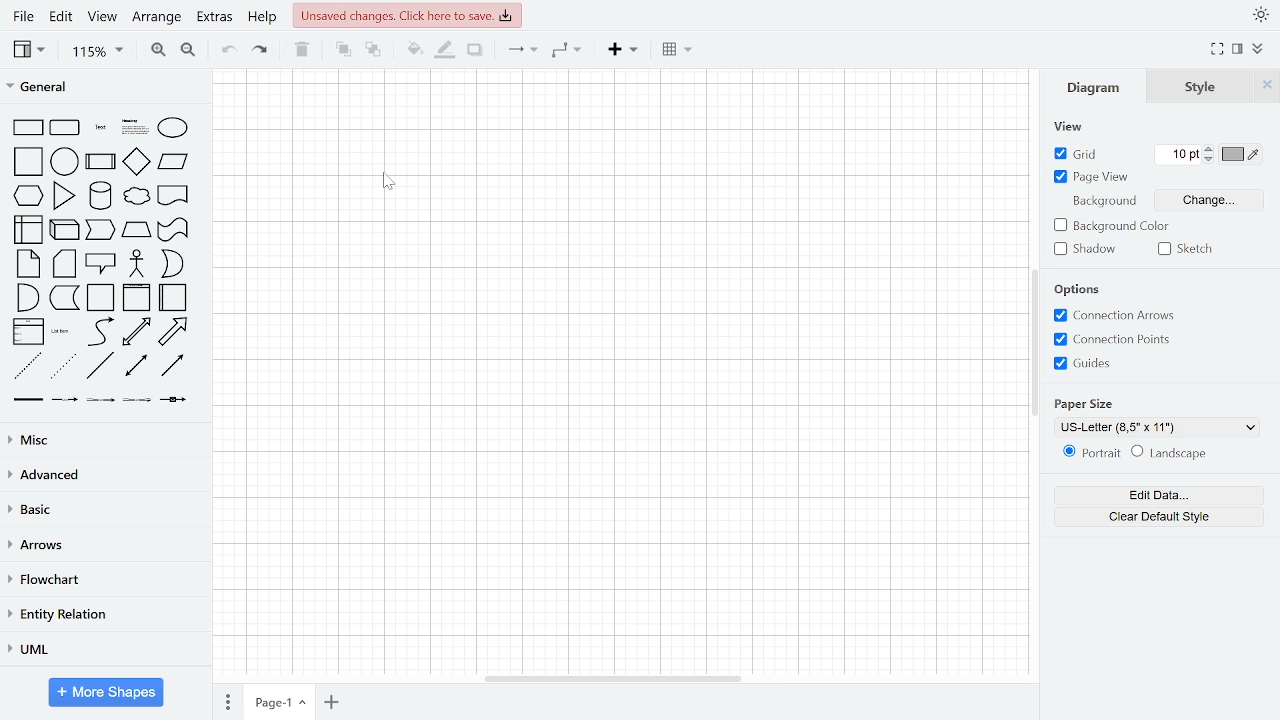 Image resolution: width=1280 pixels, height=720 pixels. What do you see at coordinates (102, 16) in the screenshot?
I see `view` at bounding box center [102, 16].